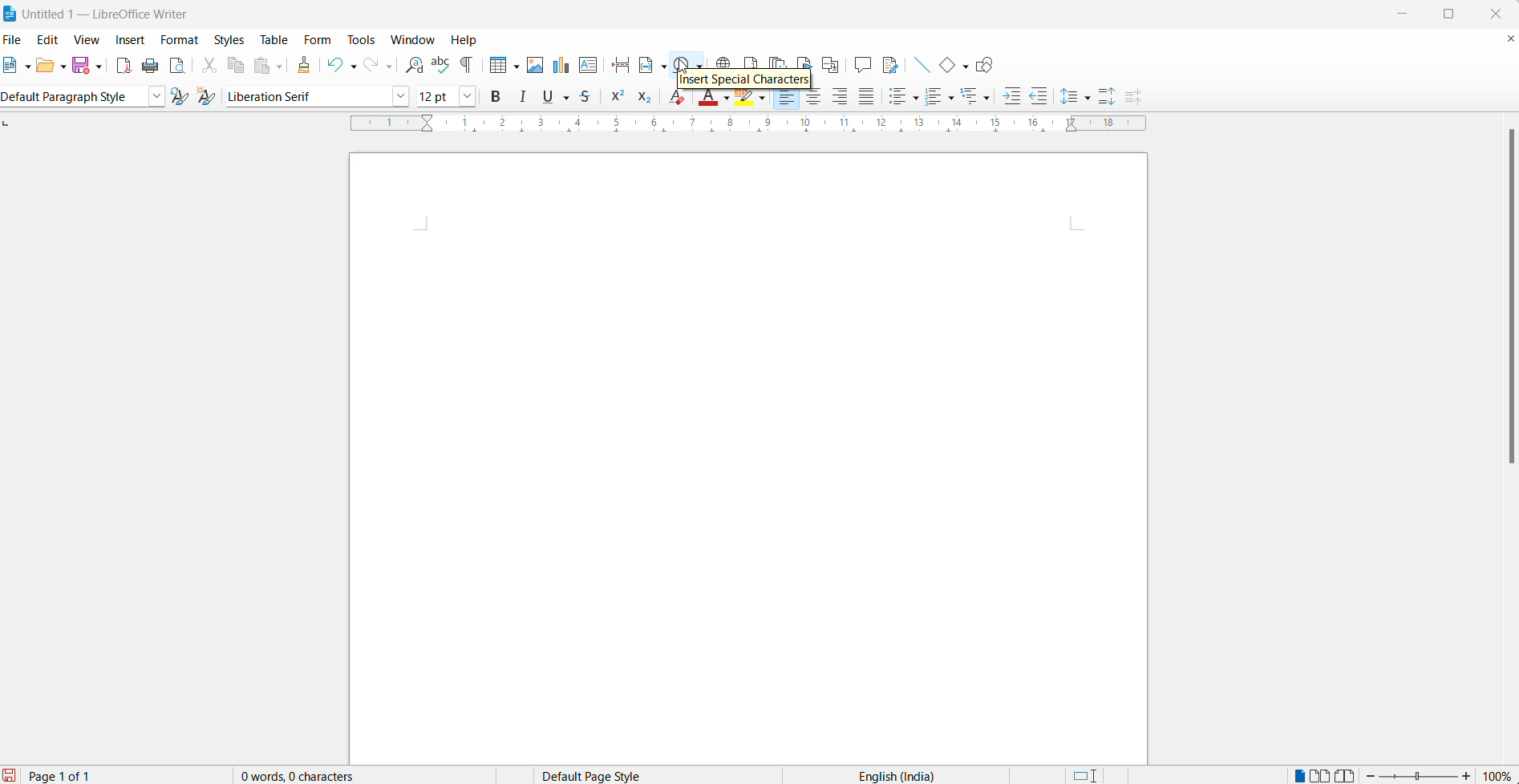 This screenshot has width=1519, height=784. What do you see at coordinates (29, 67) in the screenshot?
I see `new options` at bounding box center [29, 67].